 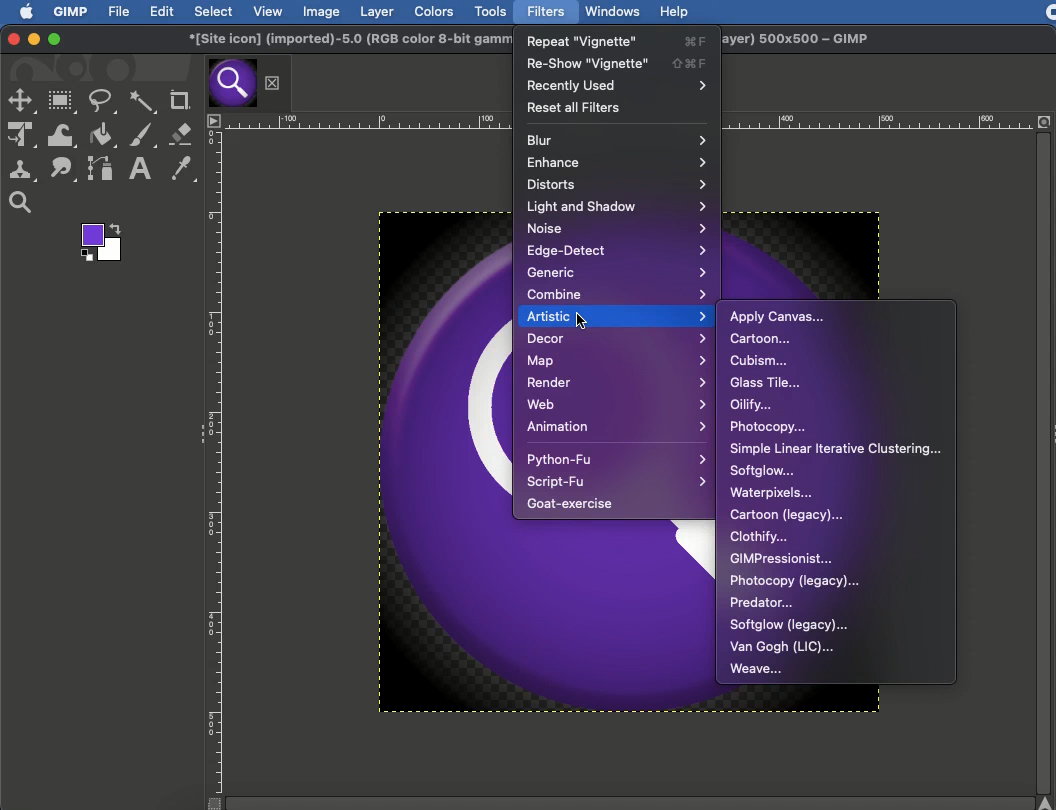 What do you see at coordinates (138, 169) in the screenshot?
I see `Text` at bounding box center [138, 169].